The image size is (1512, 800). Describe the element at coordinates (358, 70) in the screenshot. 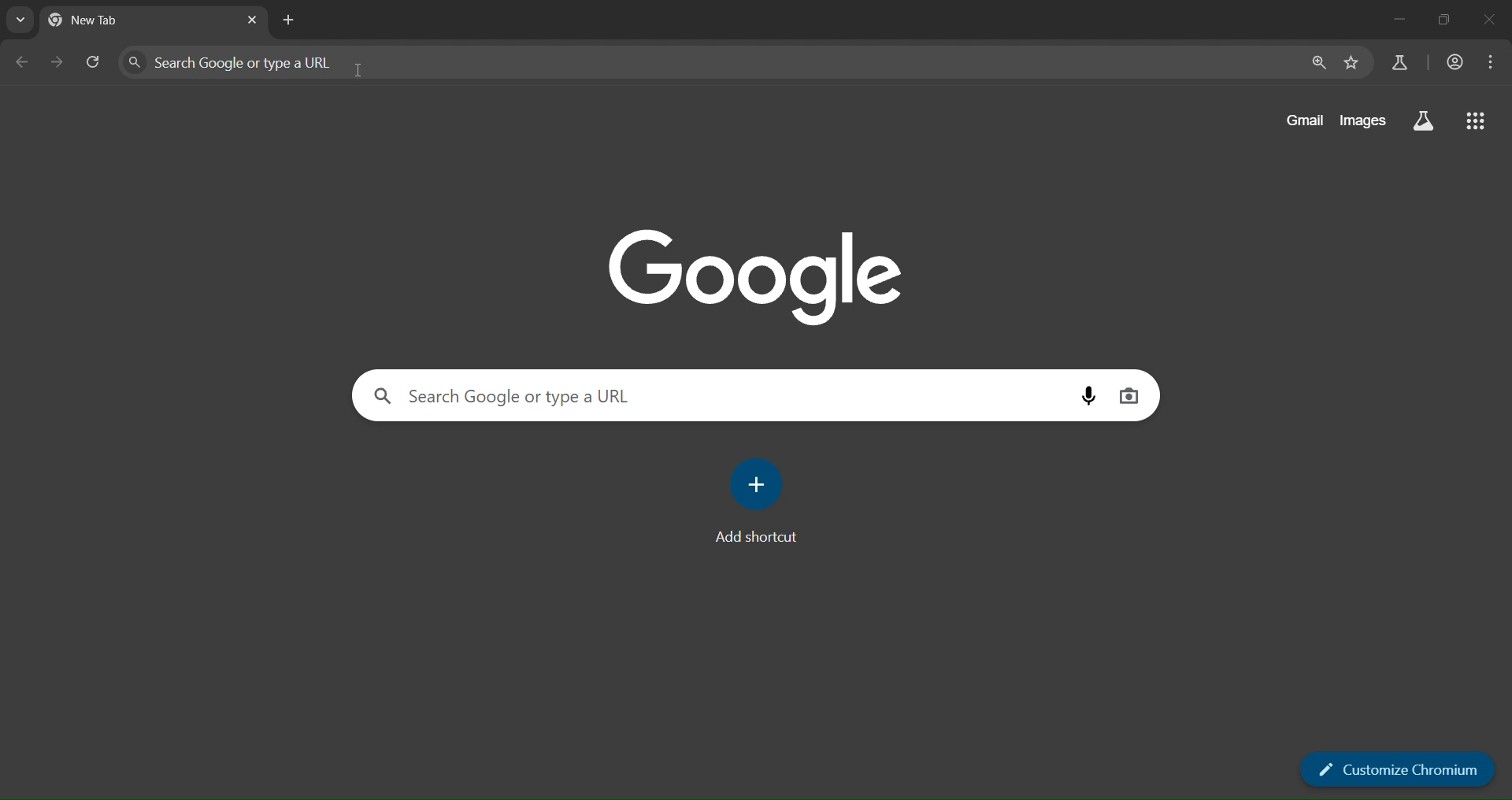

I see `cursor` at that location.